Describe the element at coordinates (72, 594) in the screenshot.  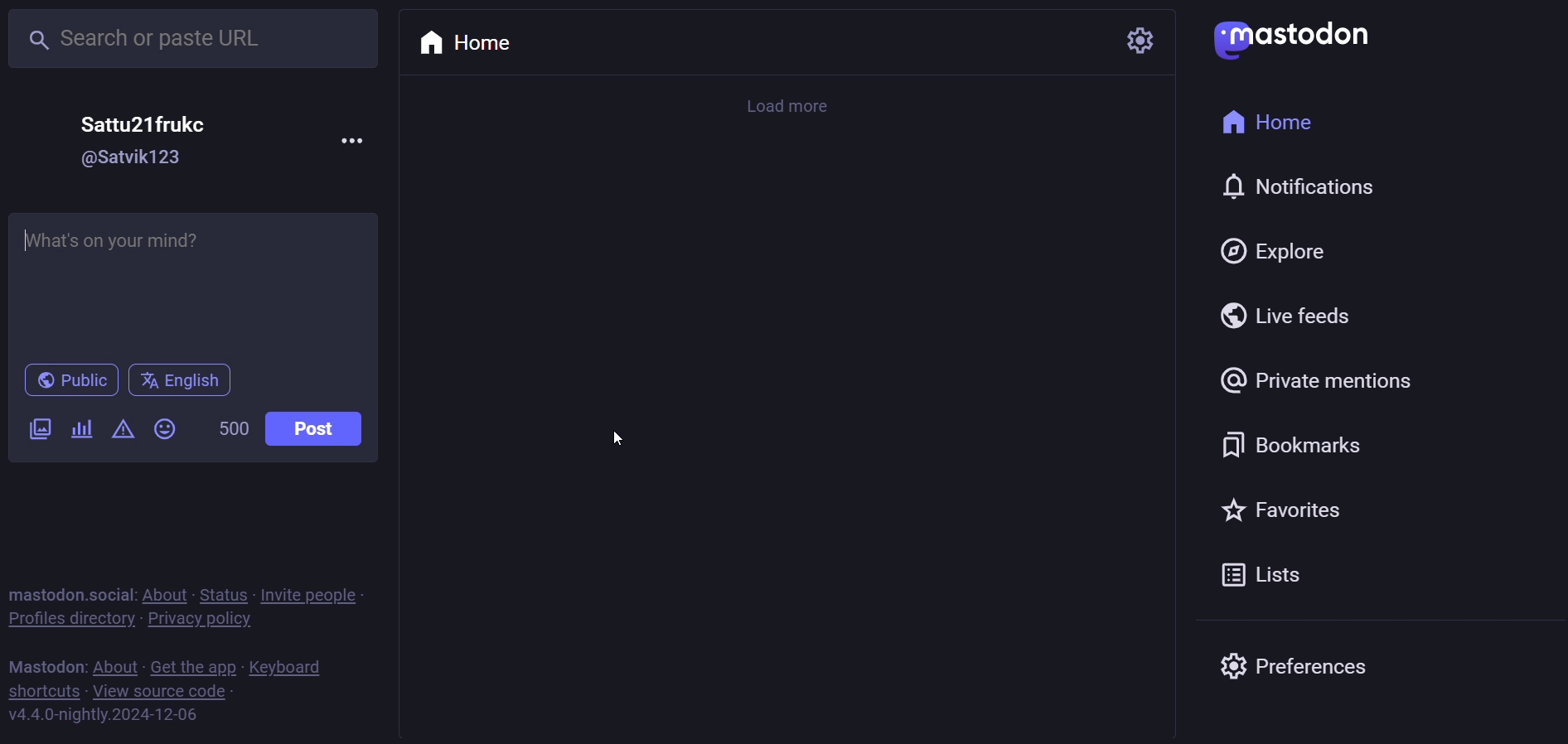
I see `mastodon social` at that location.